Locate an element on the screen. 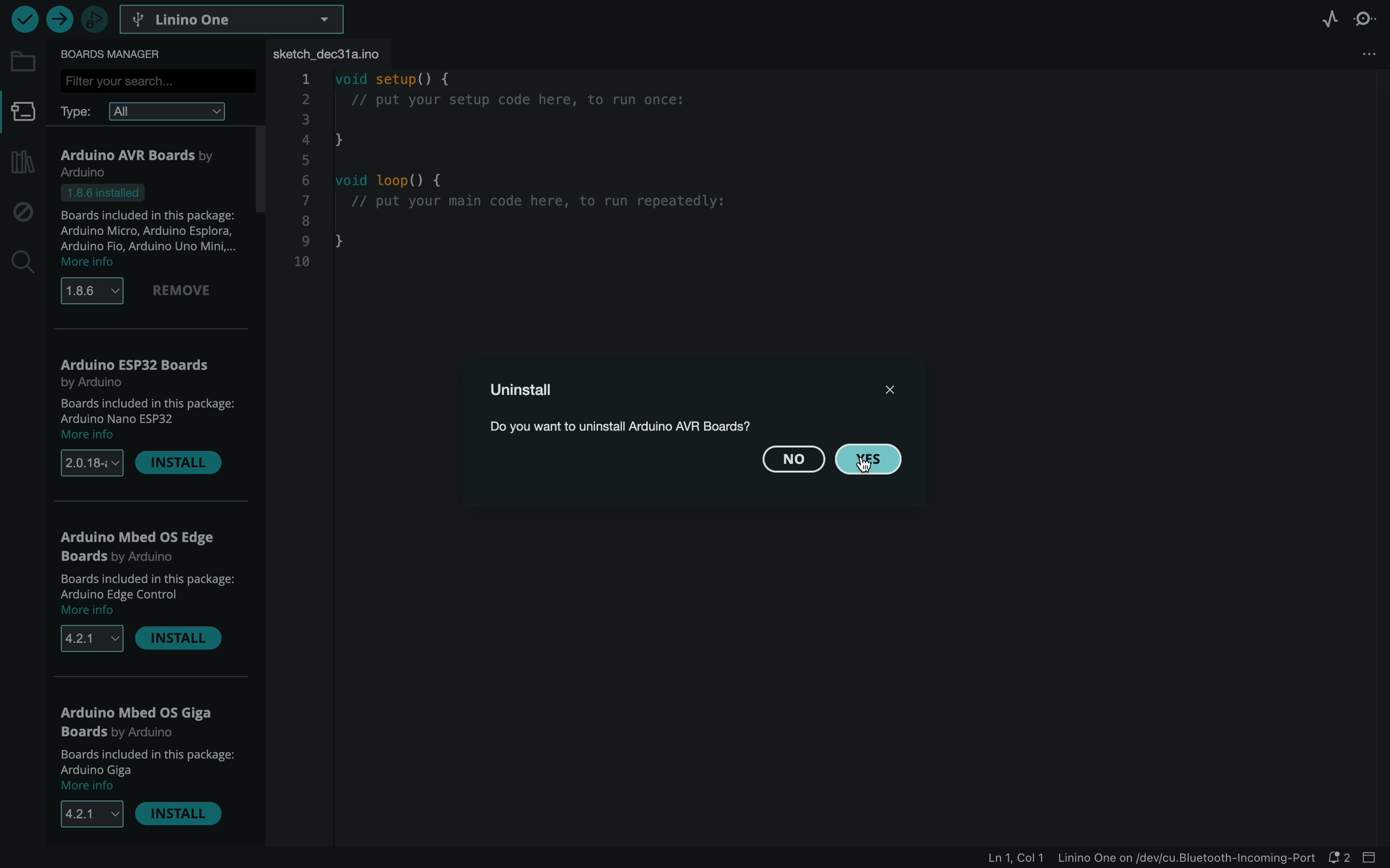 The height and width of the screenshot is (868, 1390). folder is located at coordinates (25, 63).